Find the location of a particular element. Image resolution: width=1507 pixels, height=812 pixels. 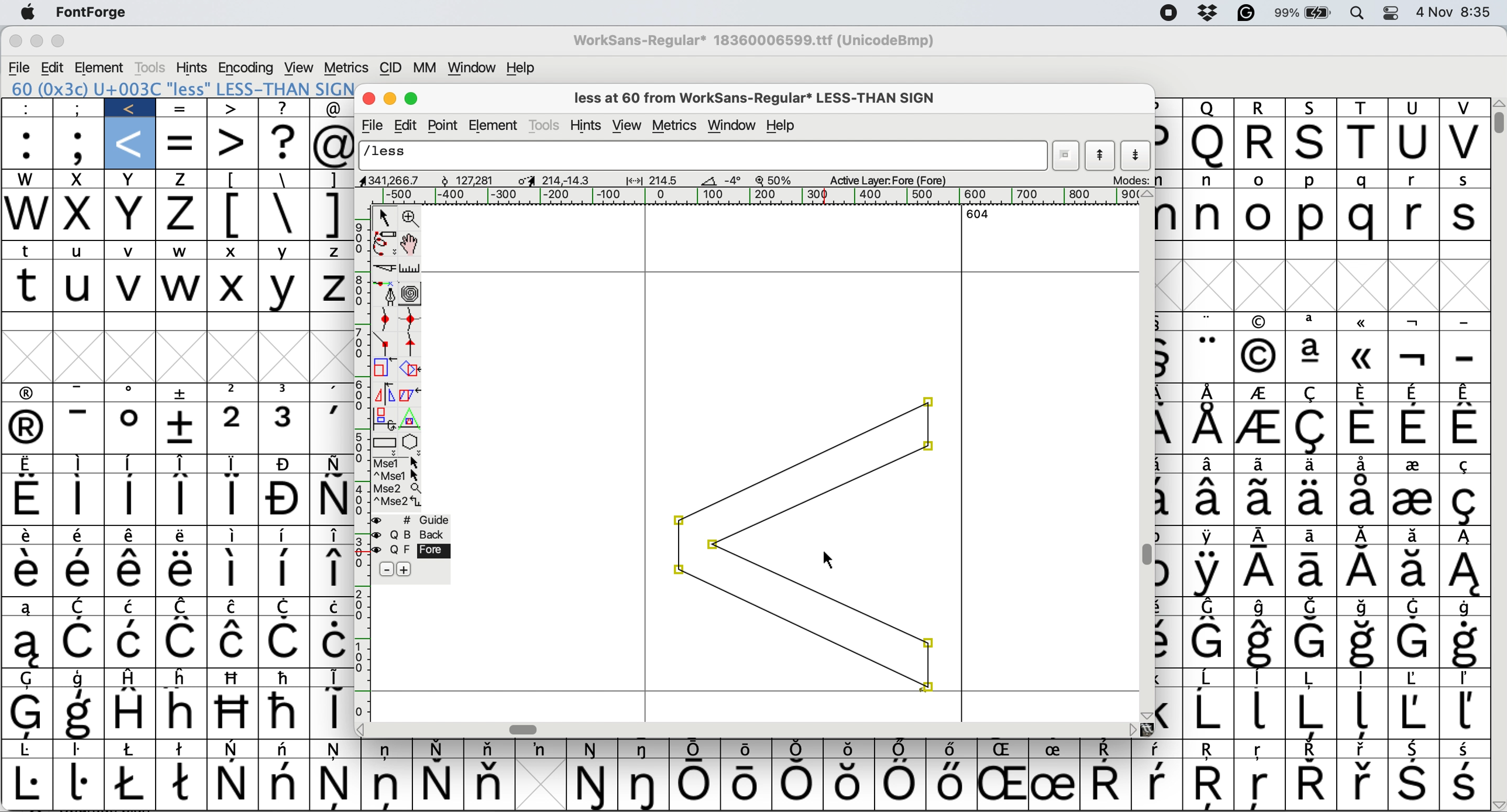

Symbol is located at coordinates (182, 713).